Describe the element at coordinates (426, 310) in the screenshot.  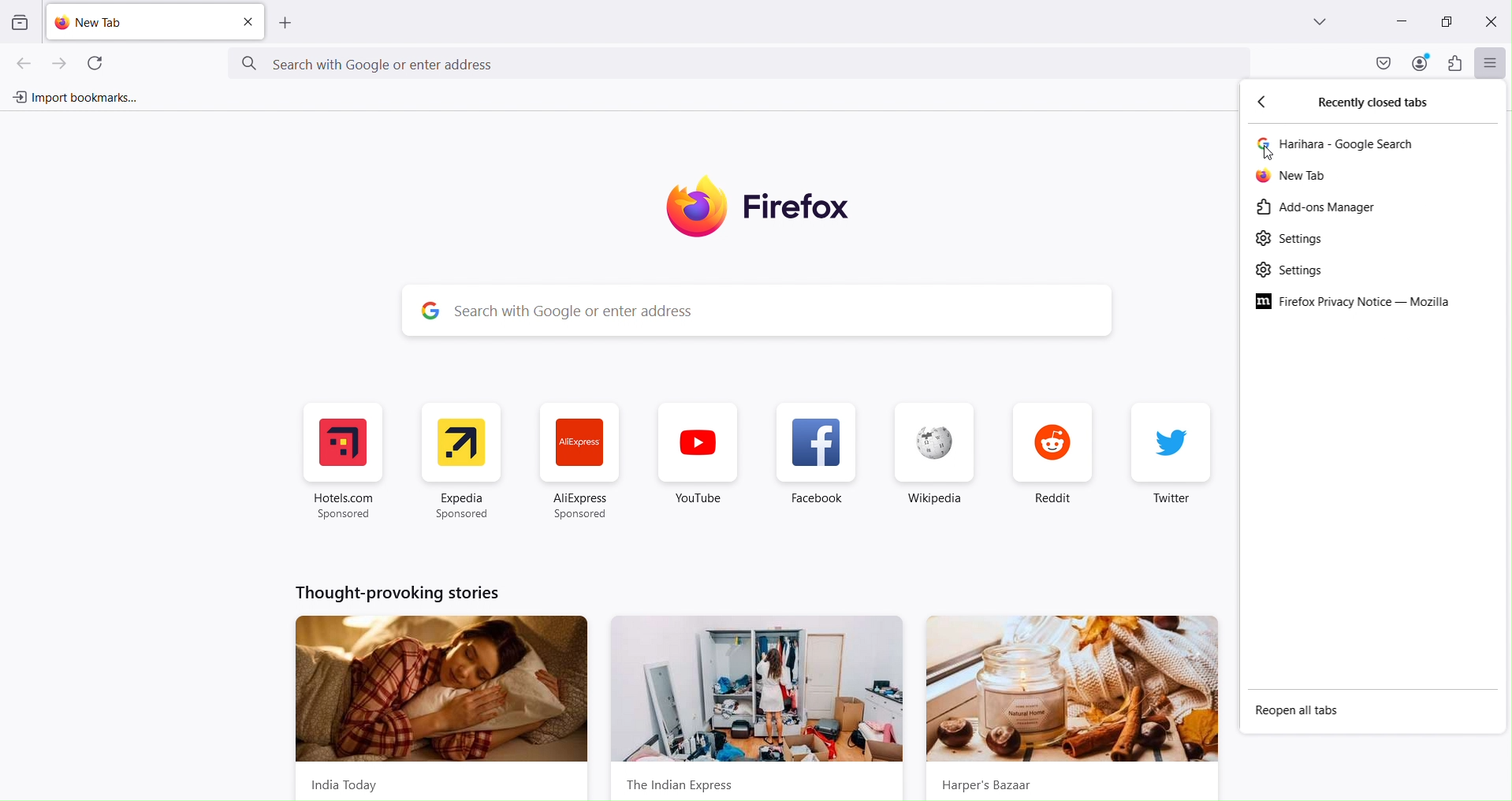
I see `google logo` at that location.